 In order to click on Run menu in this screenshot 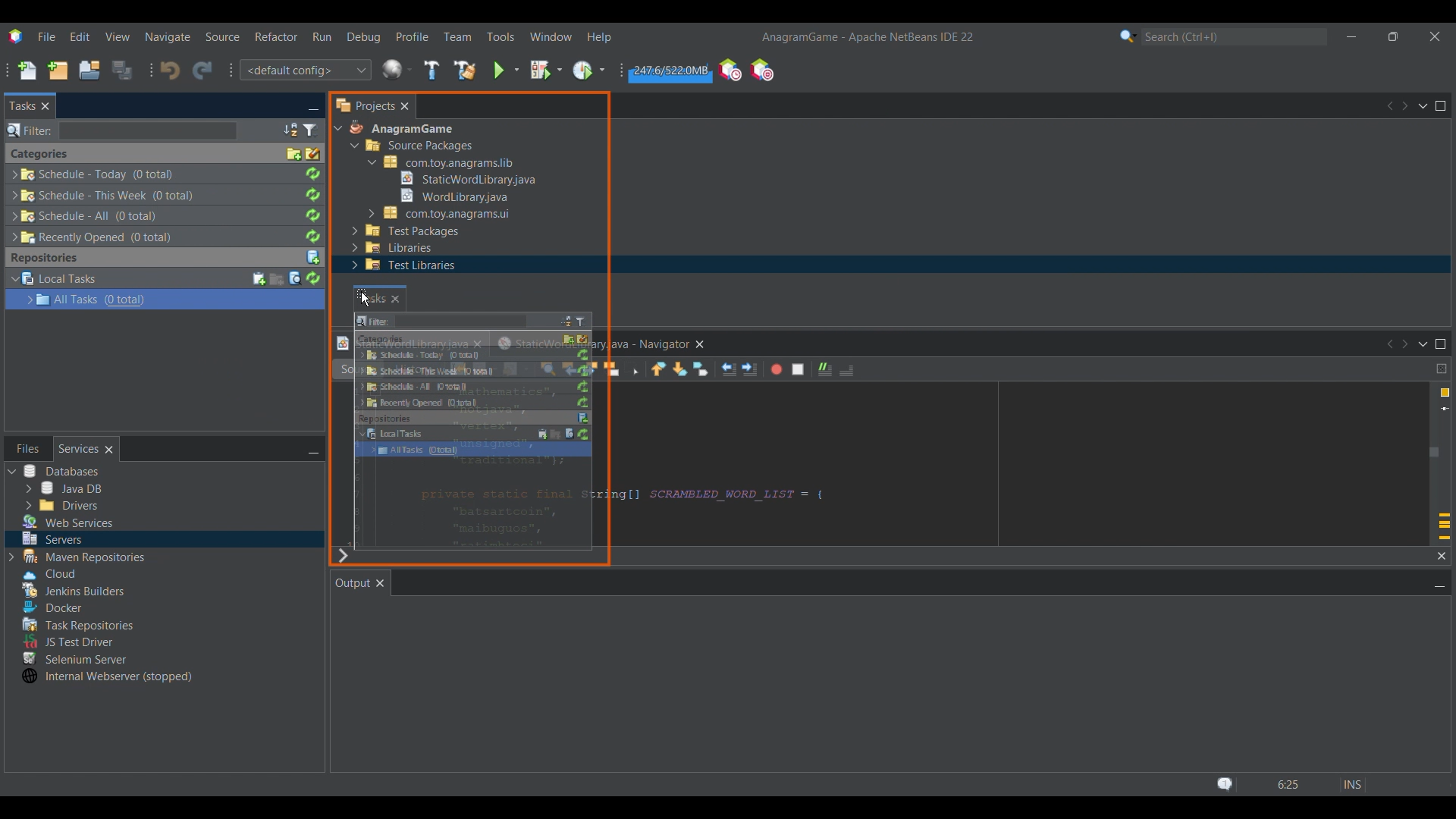, I will do `click(322, 36)`.